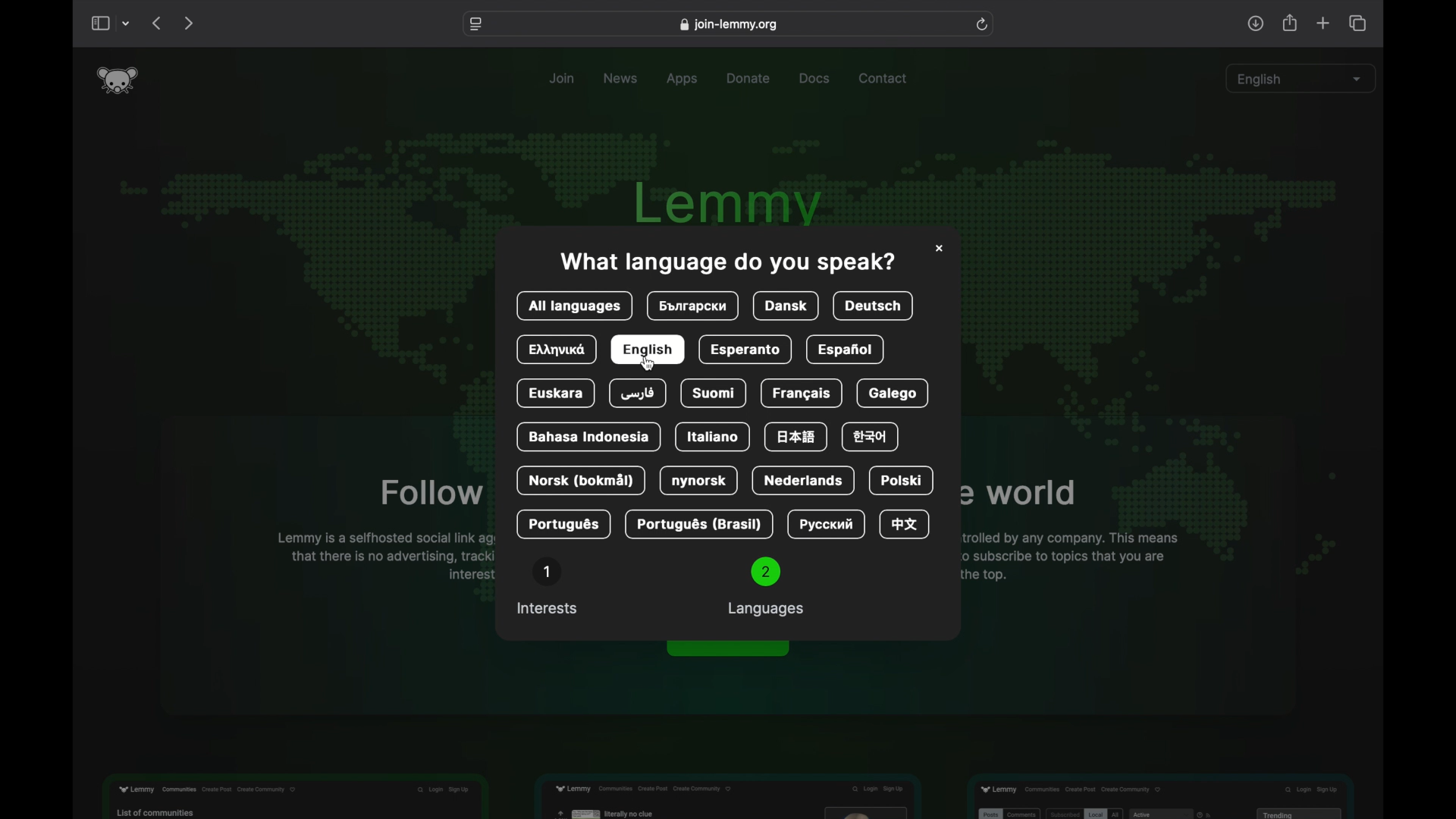 The image size is (1456, 819). What do you see at coordinates (294, 794) in the screenshot?
I see `feature preview` at bounding box center [294, 794].